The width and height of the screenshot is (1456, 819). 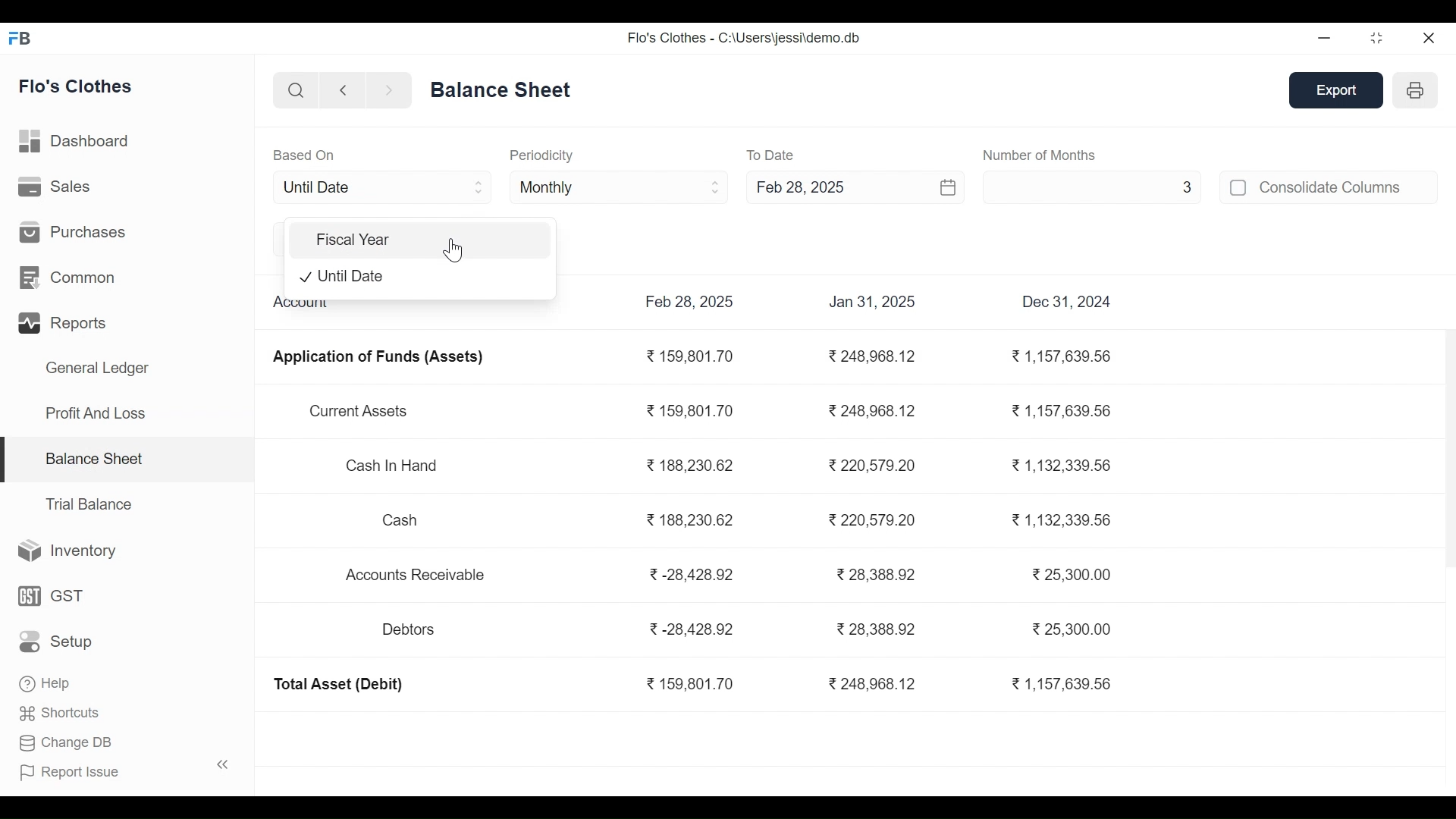 What do you see at coordinates (344, 92) in the screenshot?
I see `backward` at bounding box center [344, 92].